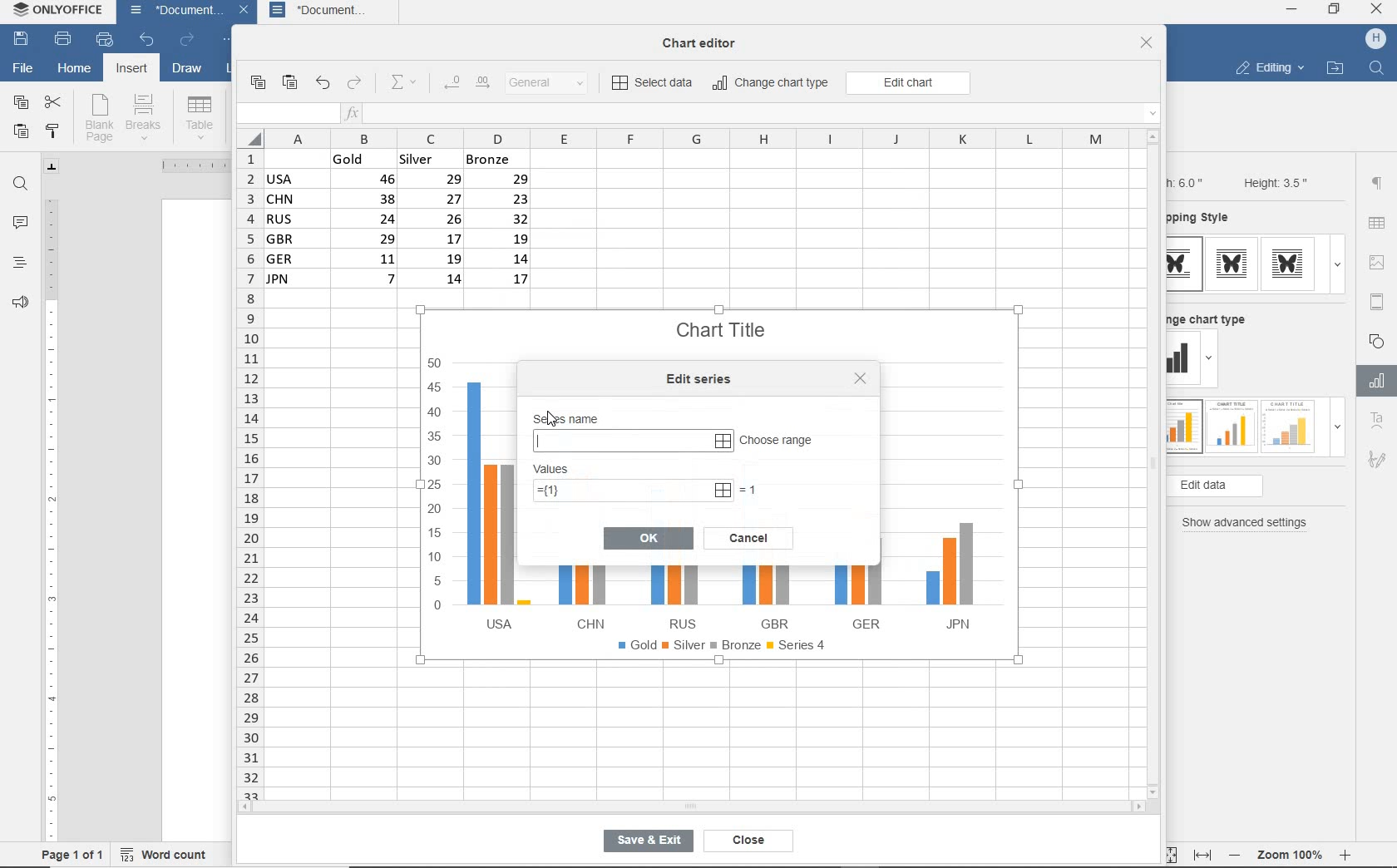  What do you see at coordinates (1232, 264) in the screenshot?
I see `type 2` at bounding box center [1232, 264].